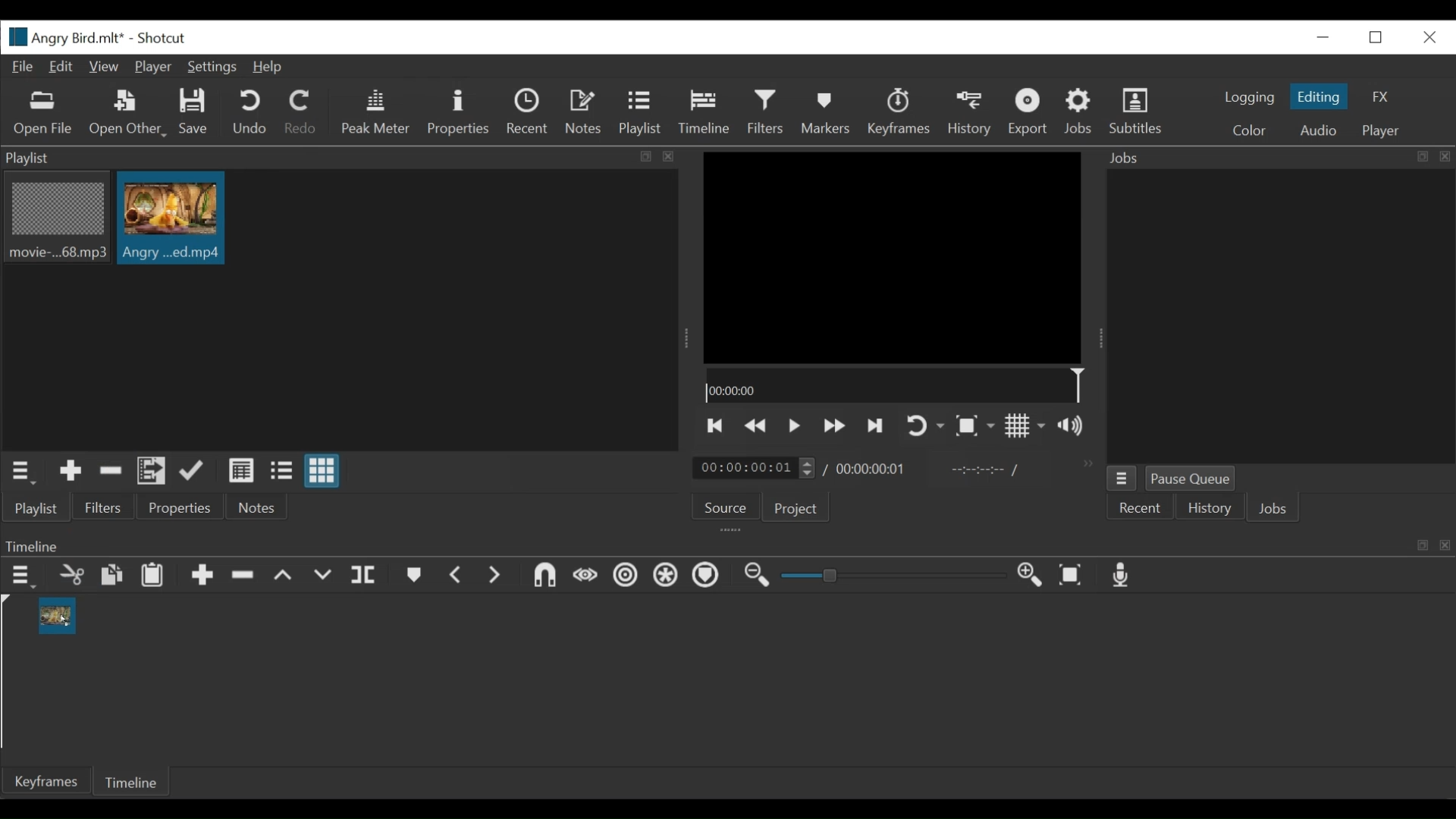 The width and height of the screenshot is (1456, 819). Describe the element at coordinates (1426, 36) in the screenshot. I see `Close` at that location.